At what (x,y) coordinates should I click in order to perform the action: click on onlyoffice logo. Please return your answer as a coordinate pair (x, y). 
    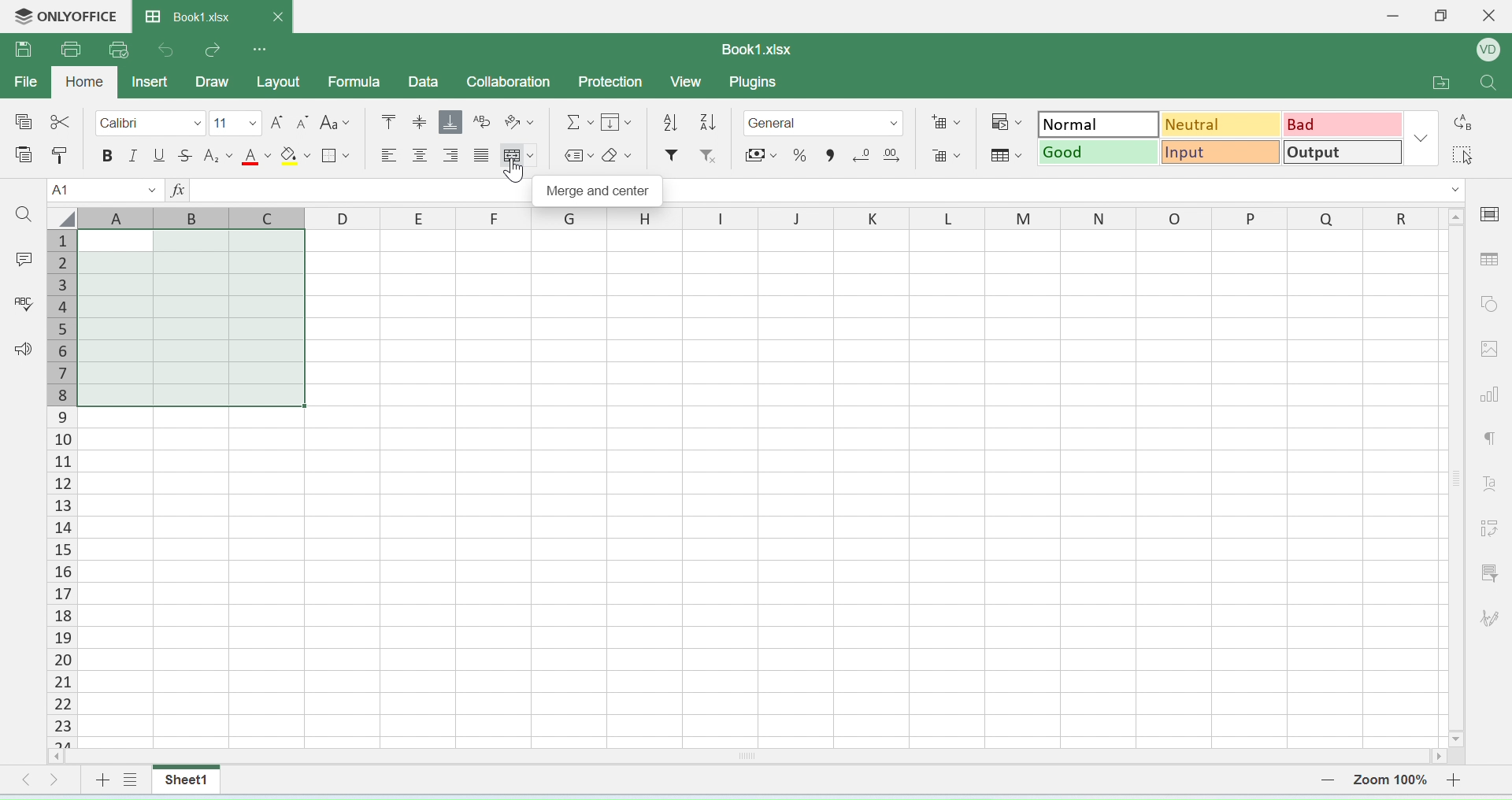
    Looking at the image, I should click on (64, 17).